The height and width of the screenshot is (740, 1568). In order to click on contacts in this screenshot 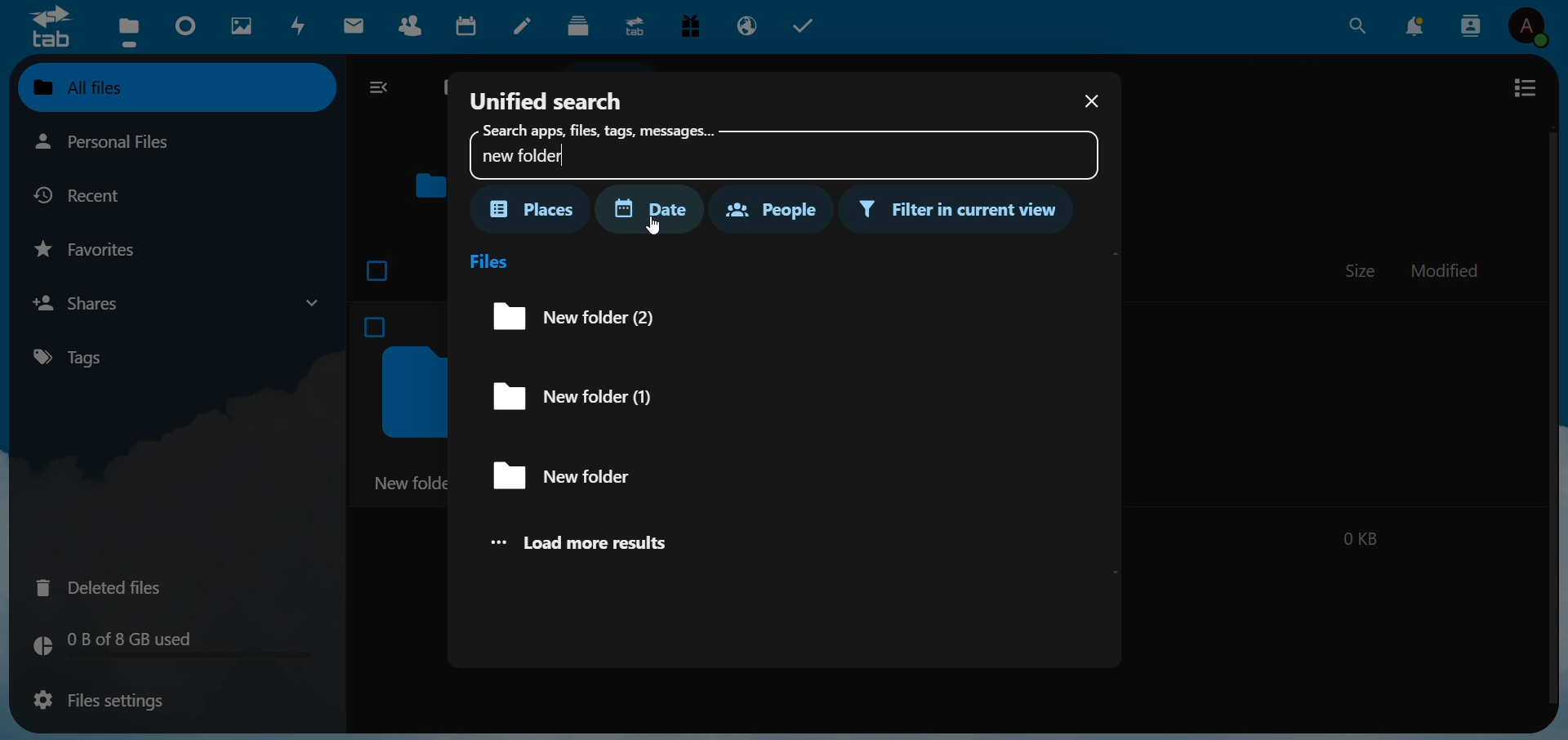, I will do `click(1472, 25)`.